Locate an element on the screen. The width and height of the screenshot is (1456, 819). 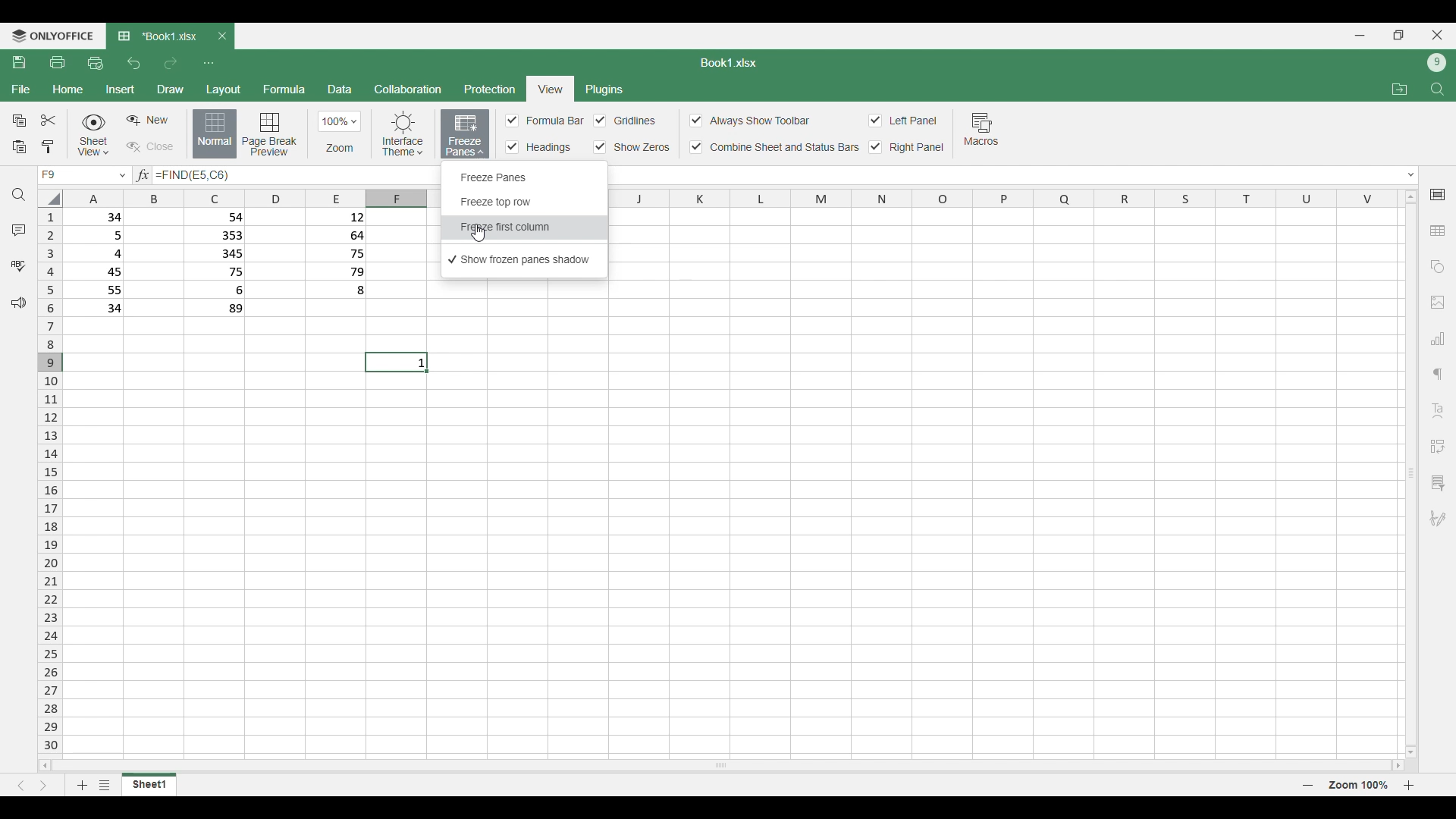
Insert pivot table is located at coordinates (1437, 447).